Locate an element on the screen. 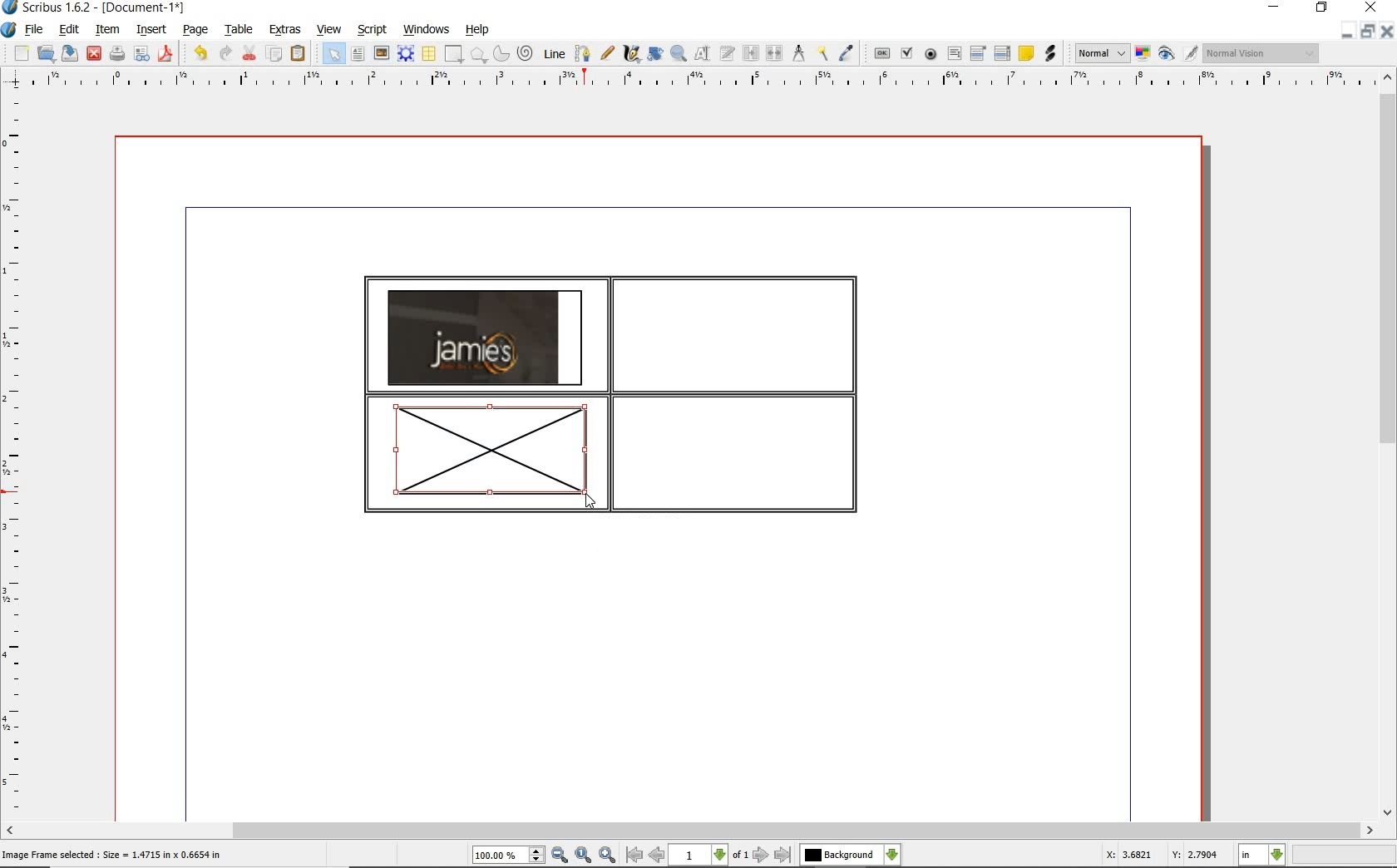 This screenshot has height=868, width=1397. go to next page is located at coordinates (761, 855).